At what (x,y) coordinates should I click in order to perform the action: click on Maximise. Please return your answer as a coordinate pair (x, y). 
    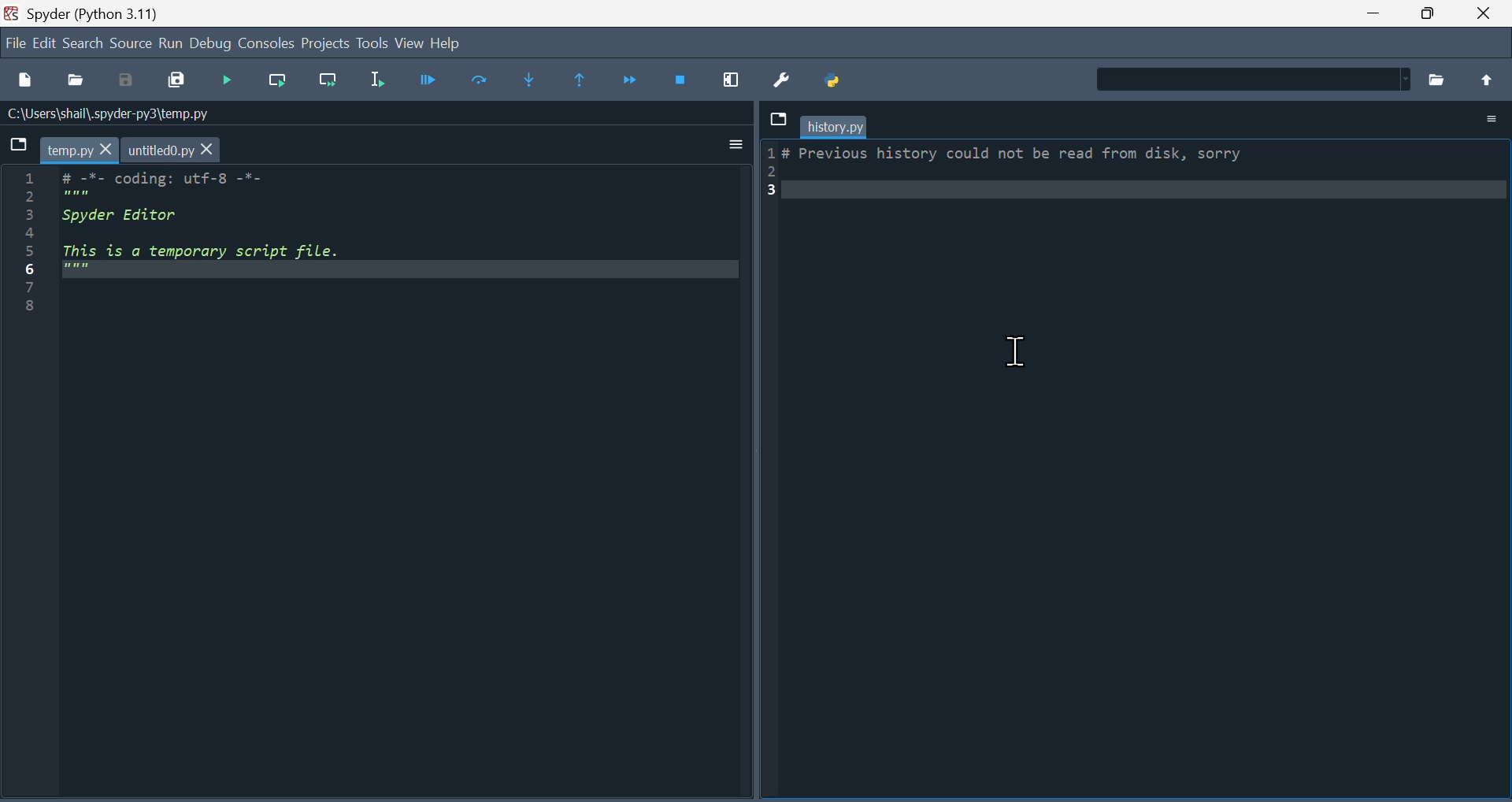
    Looking at the image, I should click on (1430, 13).